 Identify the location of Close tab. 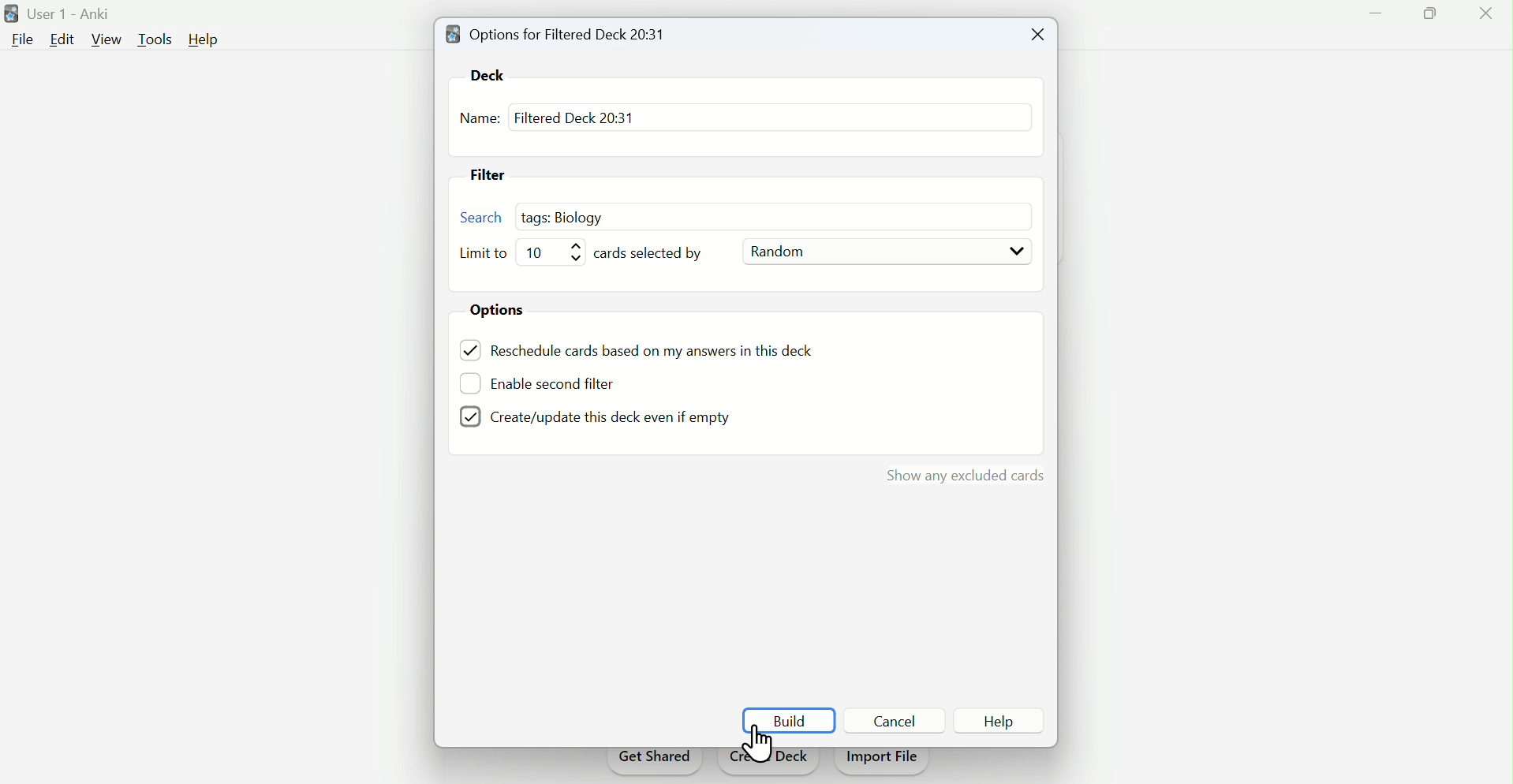
(1034, 35).